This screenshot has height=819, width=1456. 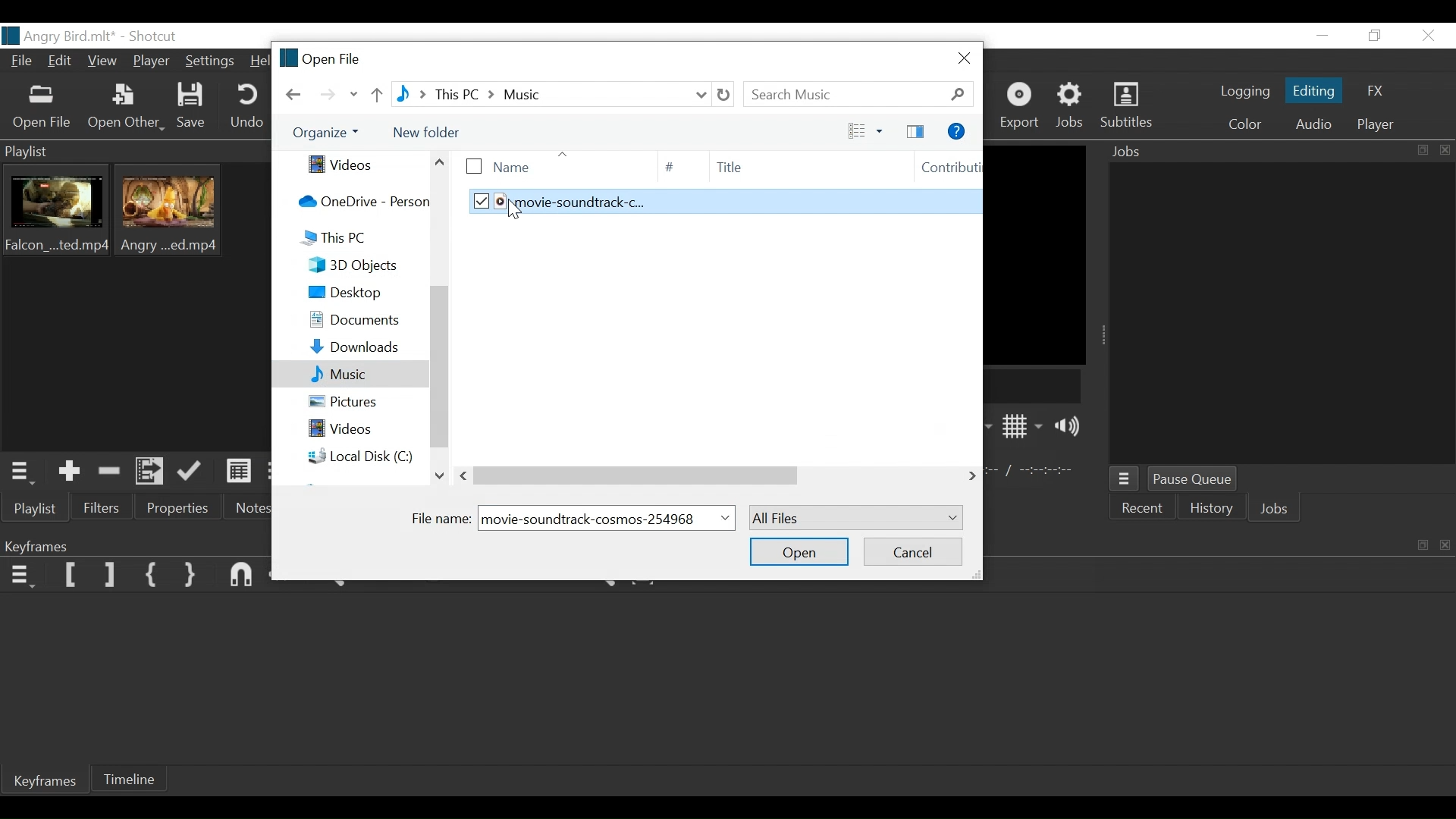 What do you see at coordinates (294, 95) in the screenshot?
I see `Go Back` at bounding box center [294, 95].